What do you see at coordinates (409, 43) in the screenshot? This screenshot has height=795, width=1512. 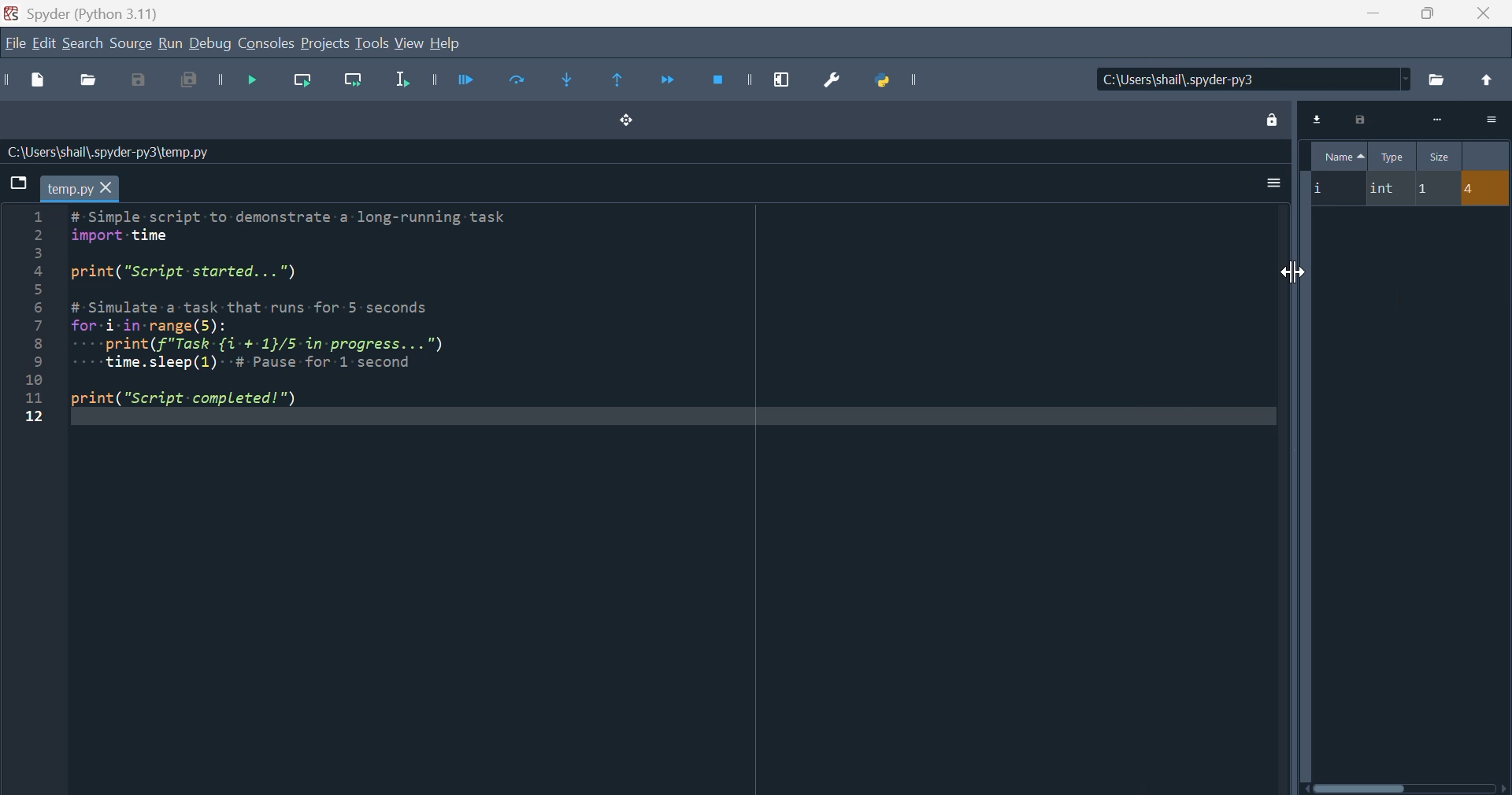 I see `view` at bounding box center [409, 43].